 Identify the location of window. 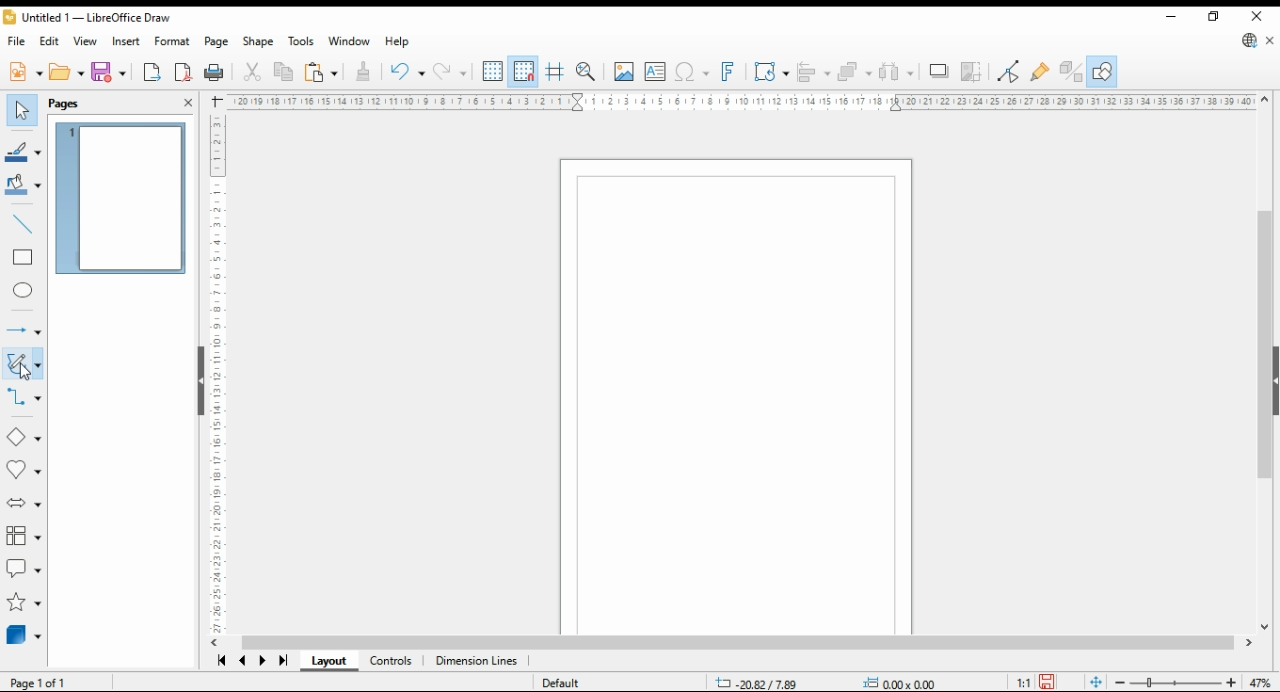
(349, 41).